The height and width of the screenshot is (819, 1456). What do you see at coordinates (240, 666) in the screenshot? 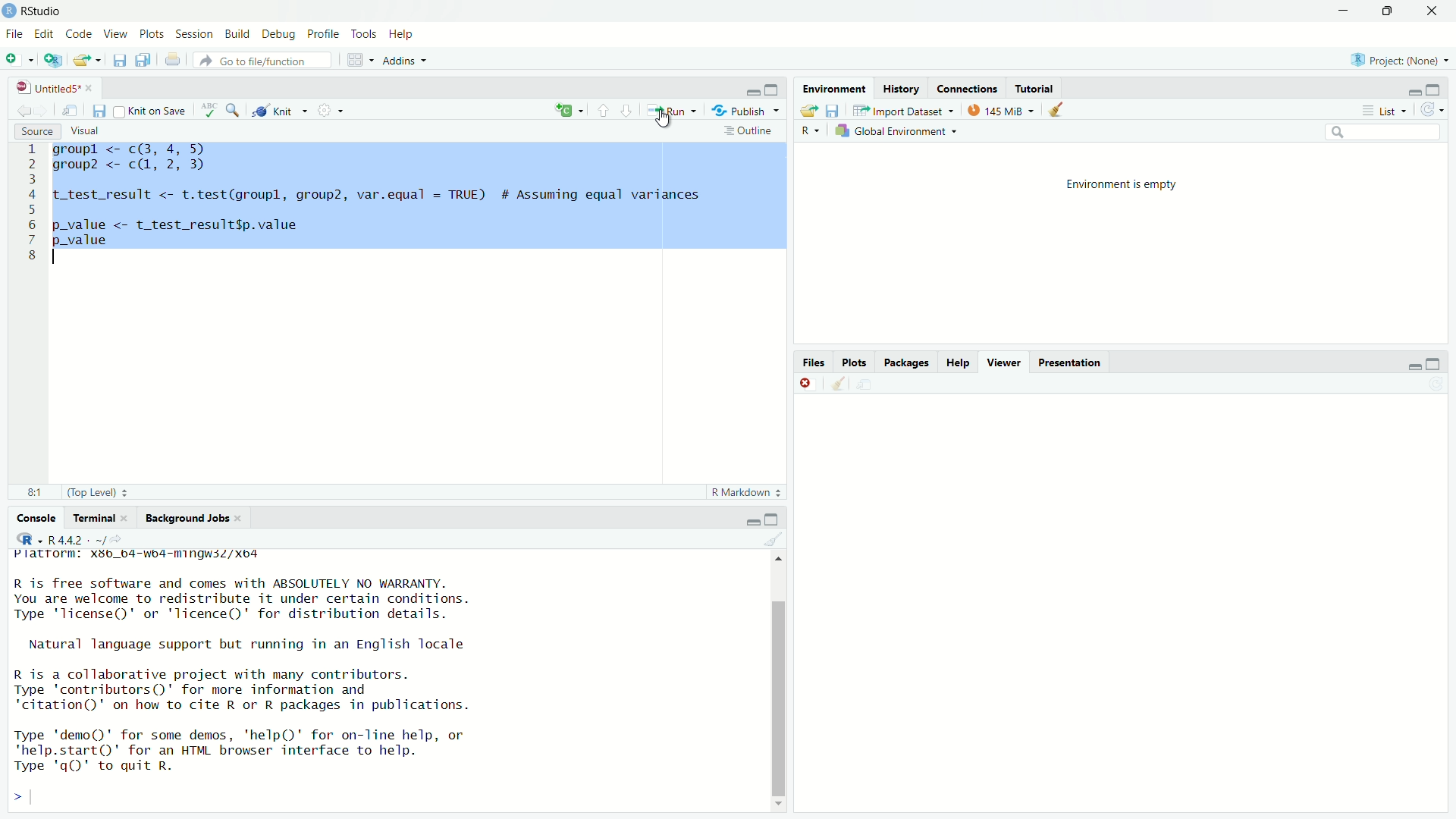
I see `FIST. Sv wey Wimpey avs

R is free software and comes with ABSOLUTELY NO WARRANTY.

You are welcome to redistribute it under certain conditions.

Type 'license()' or 'licence()' for distribution details.
Natural language support but running in an English locale

R is a collaborative project with many contributors.

Type 'contributors()' for more information and

'citation()' on how to cite R or R packages in publications.

Type 'demo()' for some demos, 'help()' for on-Tine help, or

"help.start()' for an HTML browser interface to help.

Type 'qQ)' to quit R.` at bounding box center [240, 666].